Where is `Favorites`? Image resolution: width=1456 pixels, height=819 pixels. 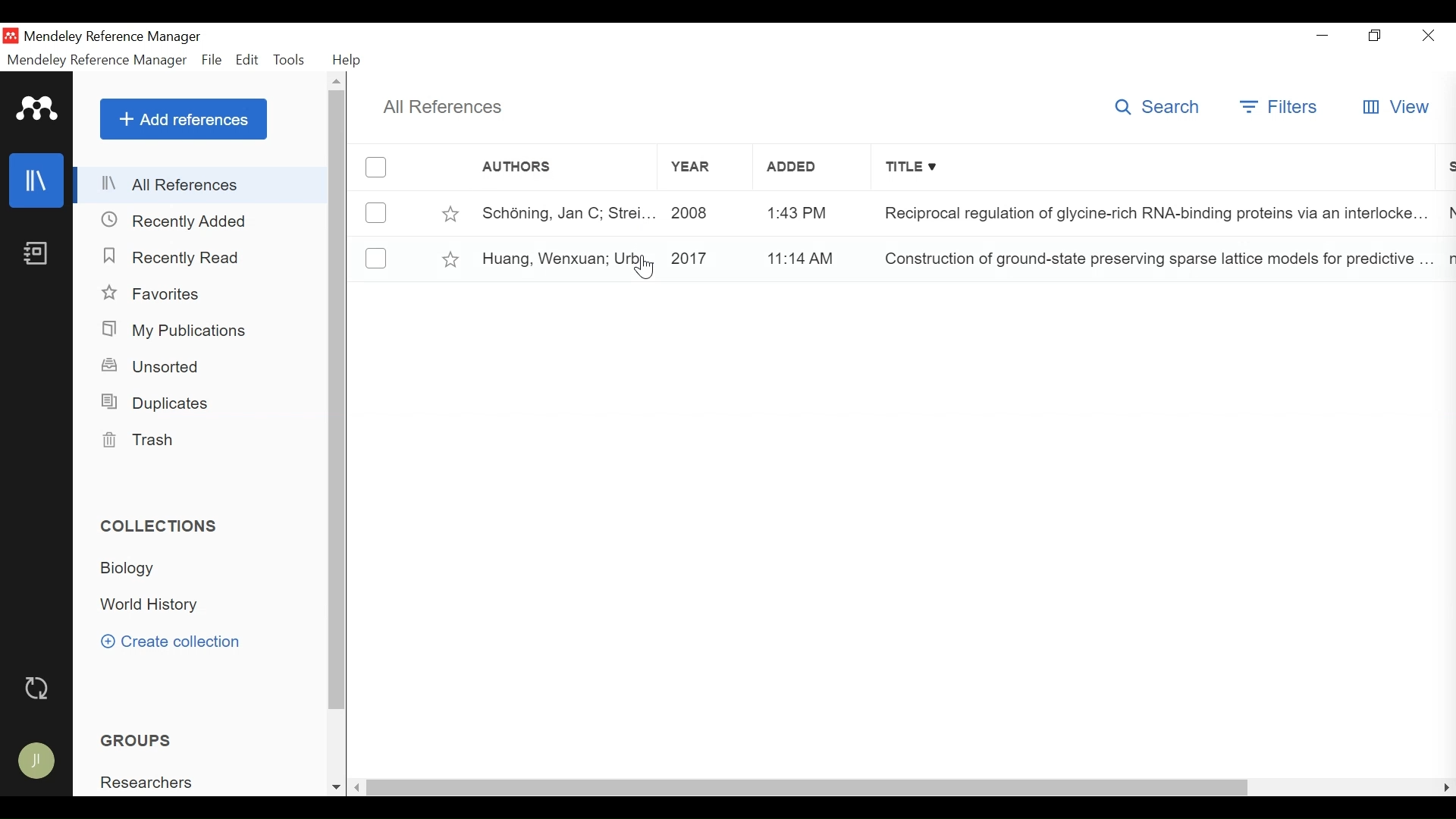 Favorites is located at coordinates (156, 294).